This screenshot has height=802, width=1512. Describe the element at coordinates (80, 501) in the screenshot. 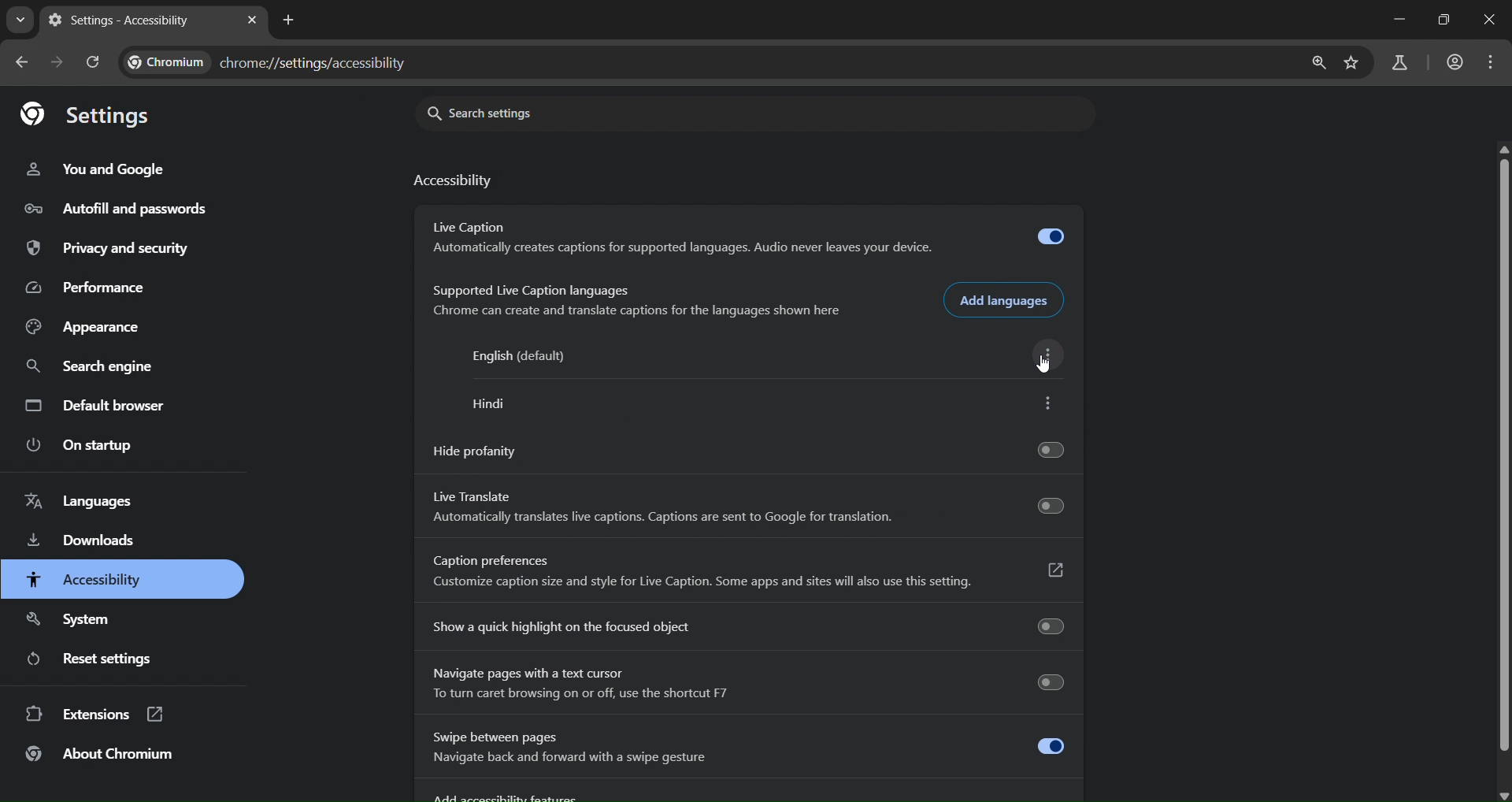

I see `languages` at that location.